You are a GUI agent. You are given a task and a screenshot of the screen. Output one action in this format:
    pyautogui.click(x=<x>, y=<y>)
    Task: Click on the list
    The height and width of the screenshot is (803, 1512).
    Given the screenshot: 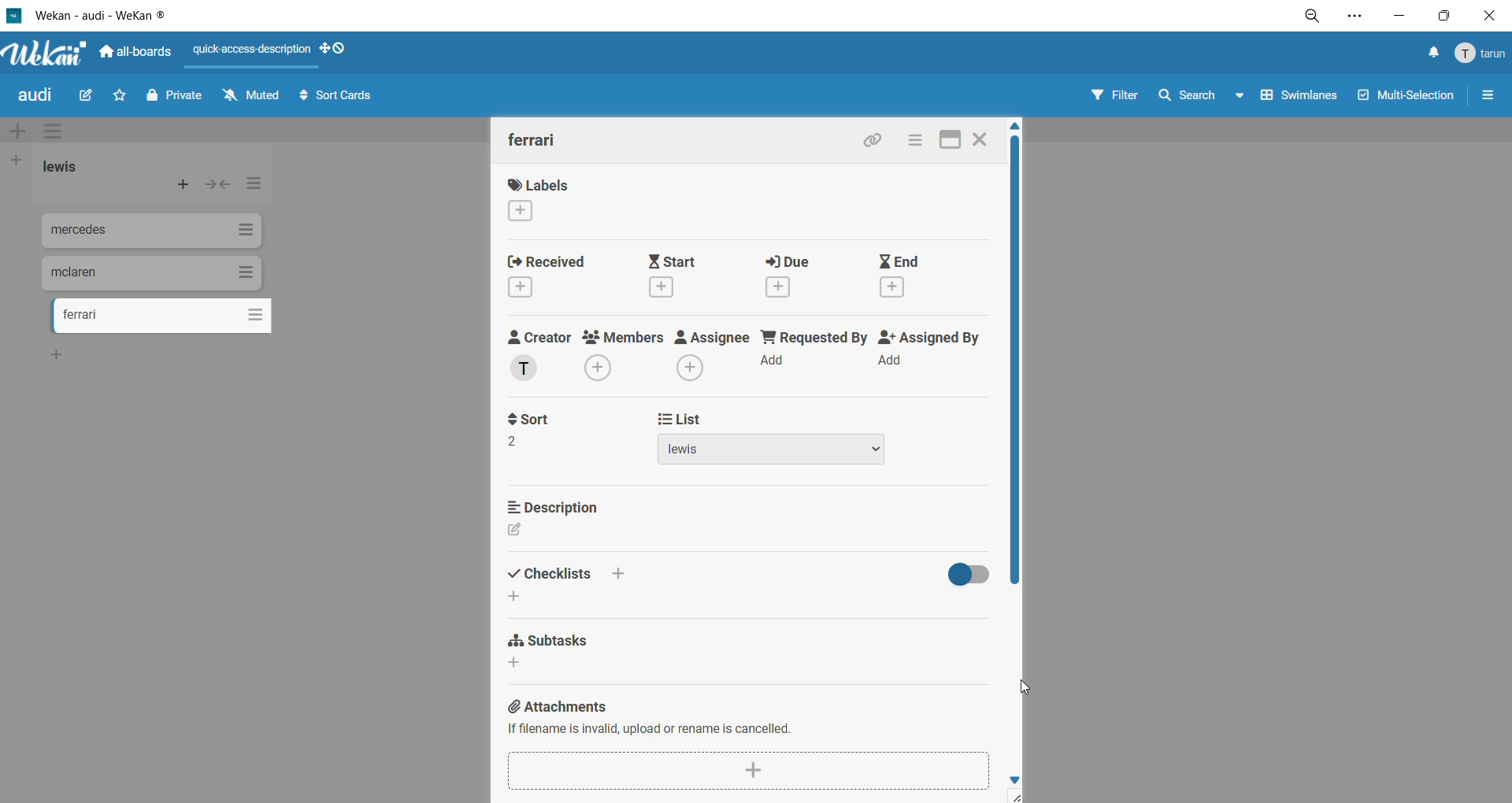 What is the action you would take?
    pyautogui.click(x=768, y=435)
    